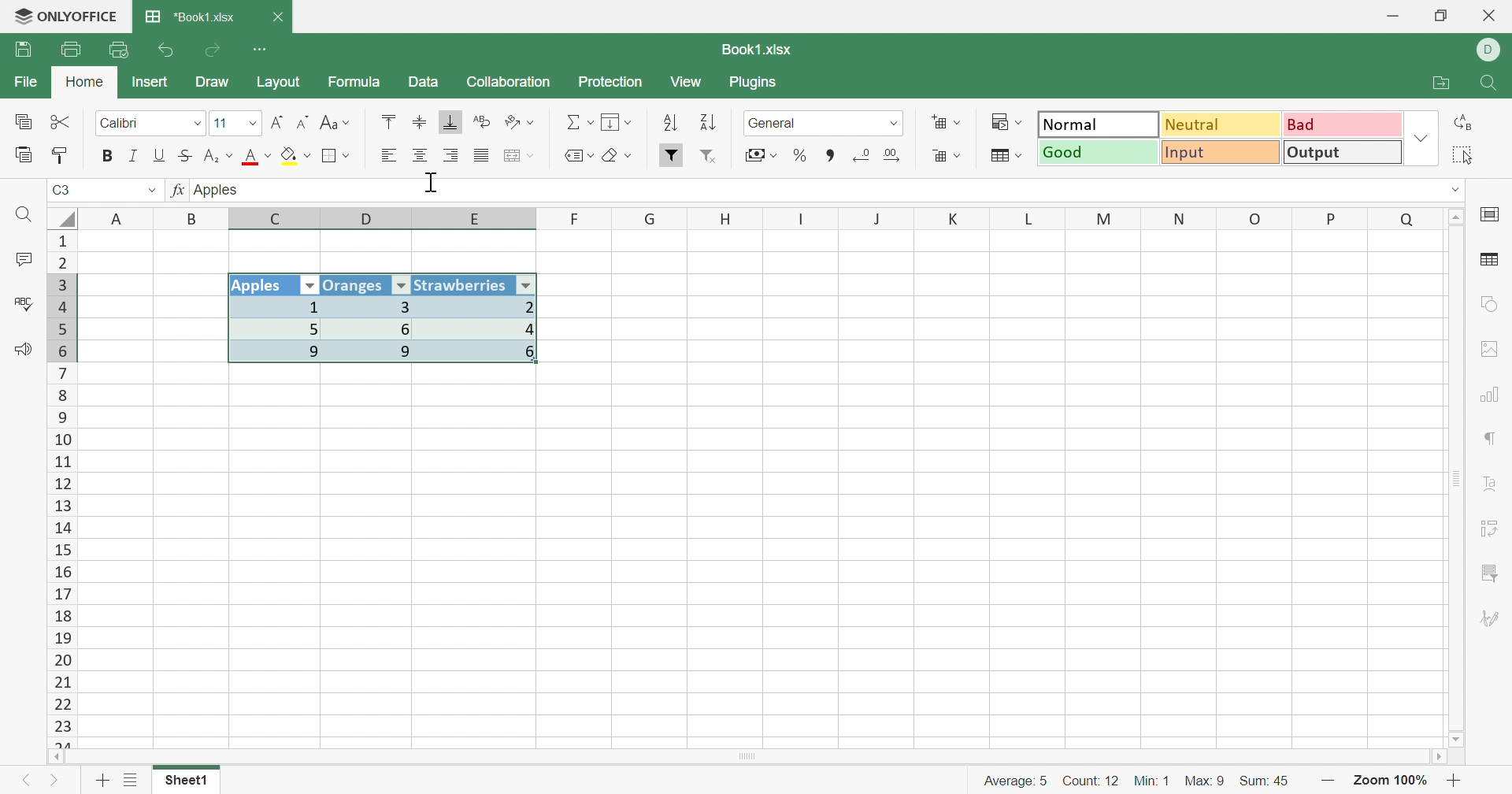 Image resolution: width=1512 pixels, height=794 pixels. Describe the element at coordinates (1492, 262) in the screenshot. I see `table settings` at that location.